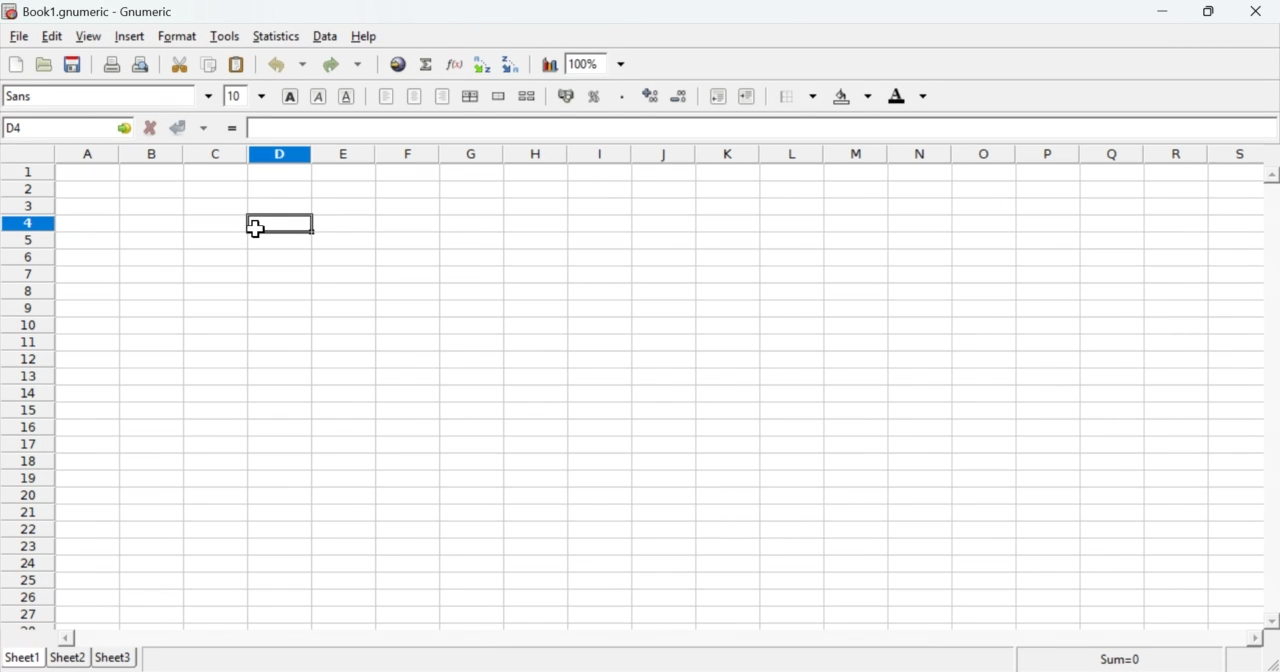  What do you see at coordinates (1260, 11) in the screenshot?
I see `close` at bounding box center [1260, 11].